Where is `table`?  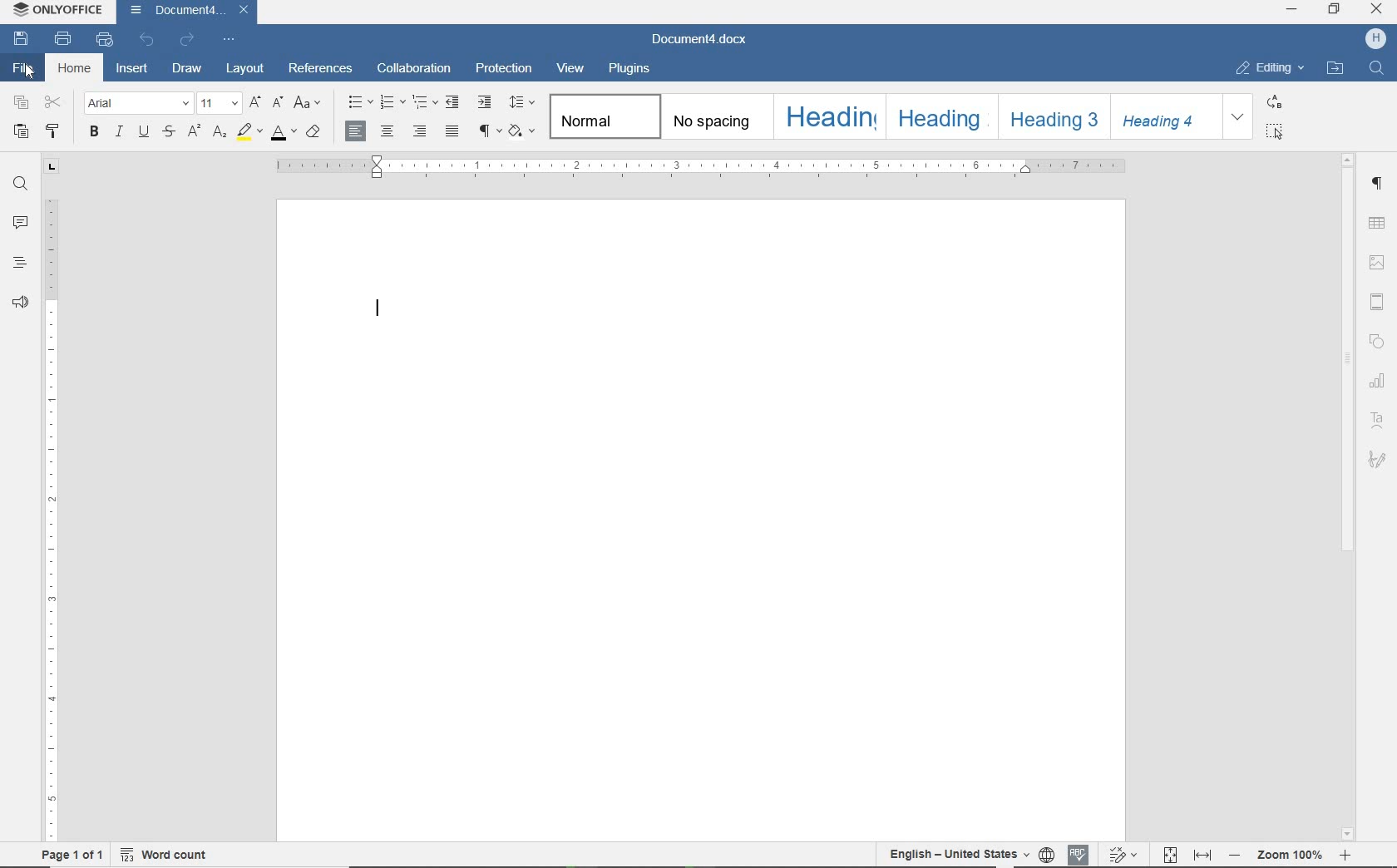
table is located at coordinates (1377, 224).